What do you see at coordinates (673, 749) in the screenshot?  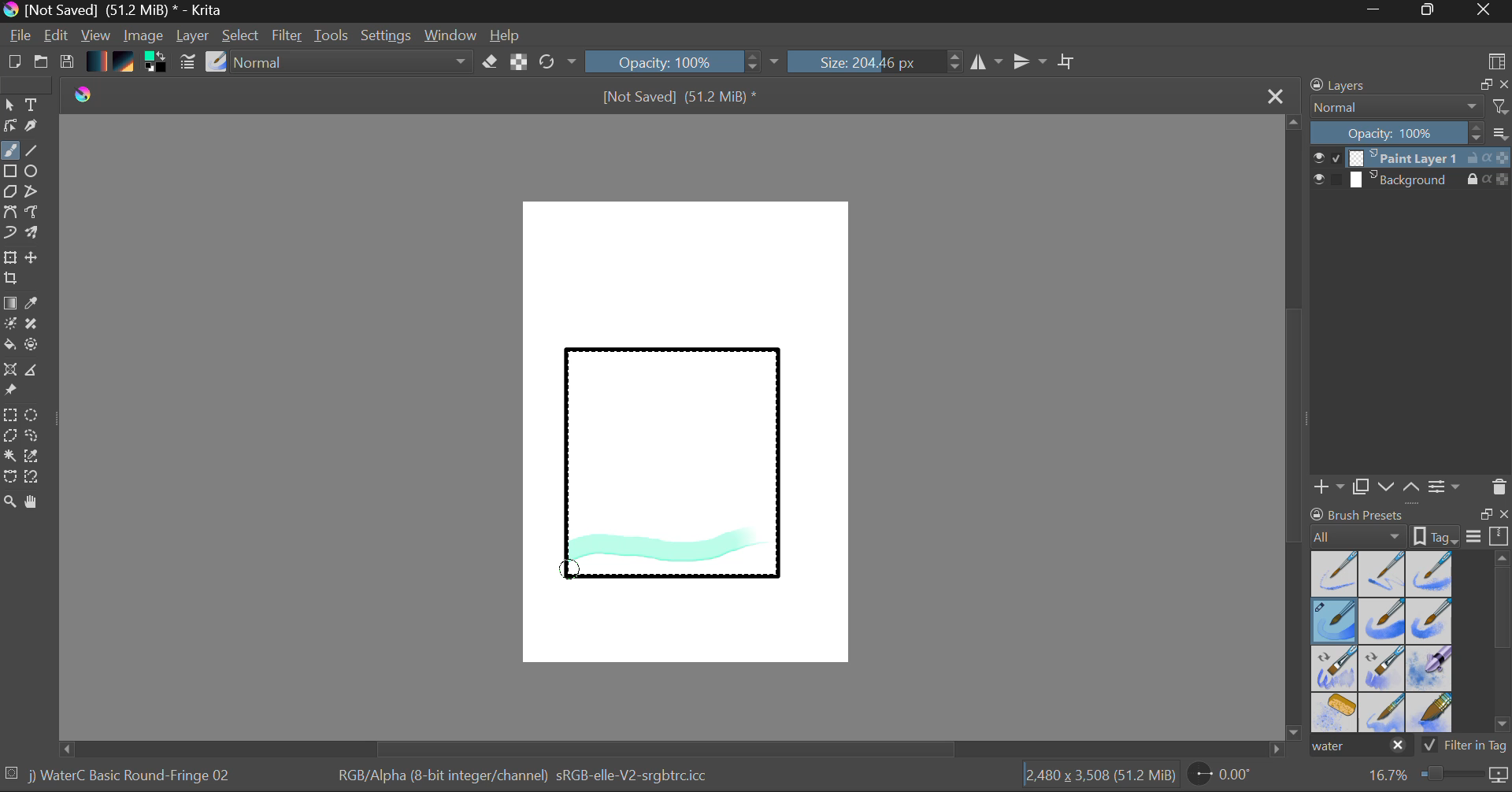 I see `Scroll Bar` at bounding box center [673, 749].